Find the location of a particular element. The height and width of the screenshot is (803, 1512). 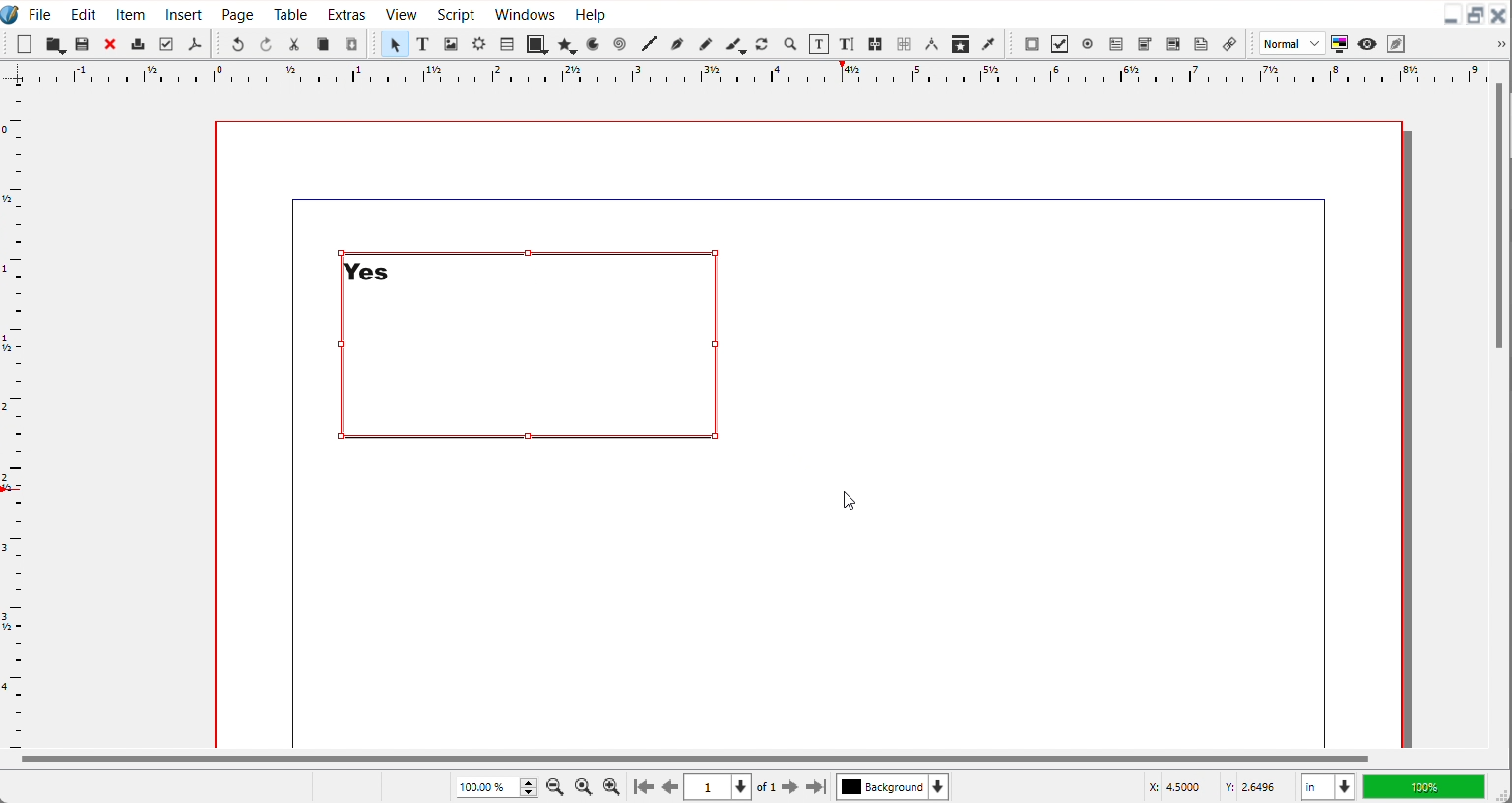

Undo is located at coordinates (237, 43).